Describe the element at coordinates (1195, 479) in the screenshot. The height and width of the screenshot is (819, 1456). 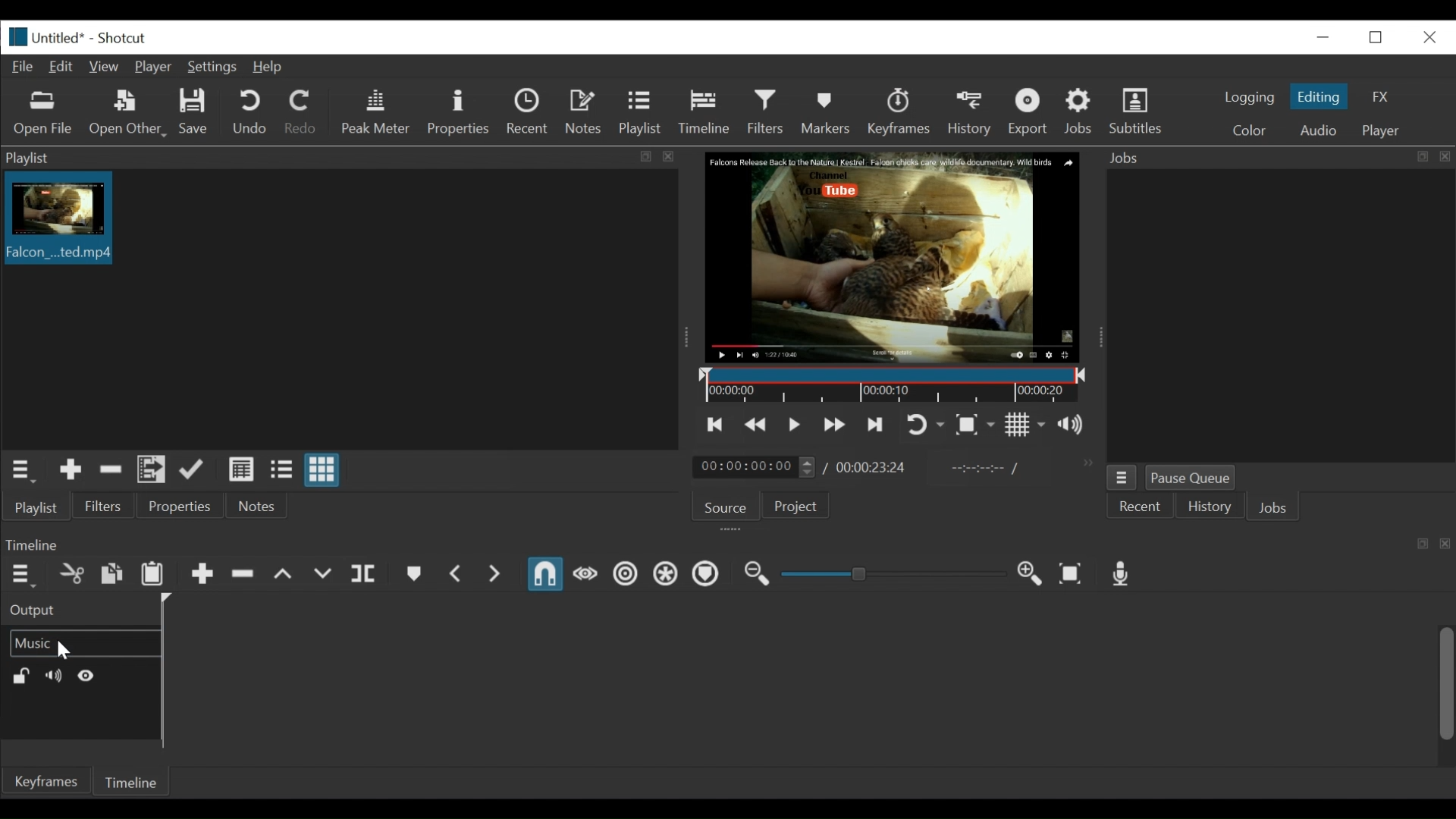
I see `Pause Queue` at that location.